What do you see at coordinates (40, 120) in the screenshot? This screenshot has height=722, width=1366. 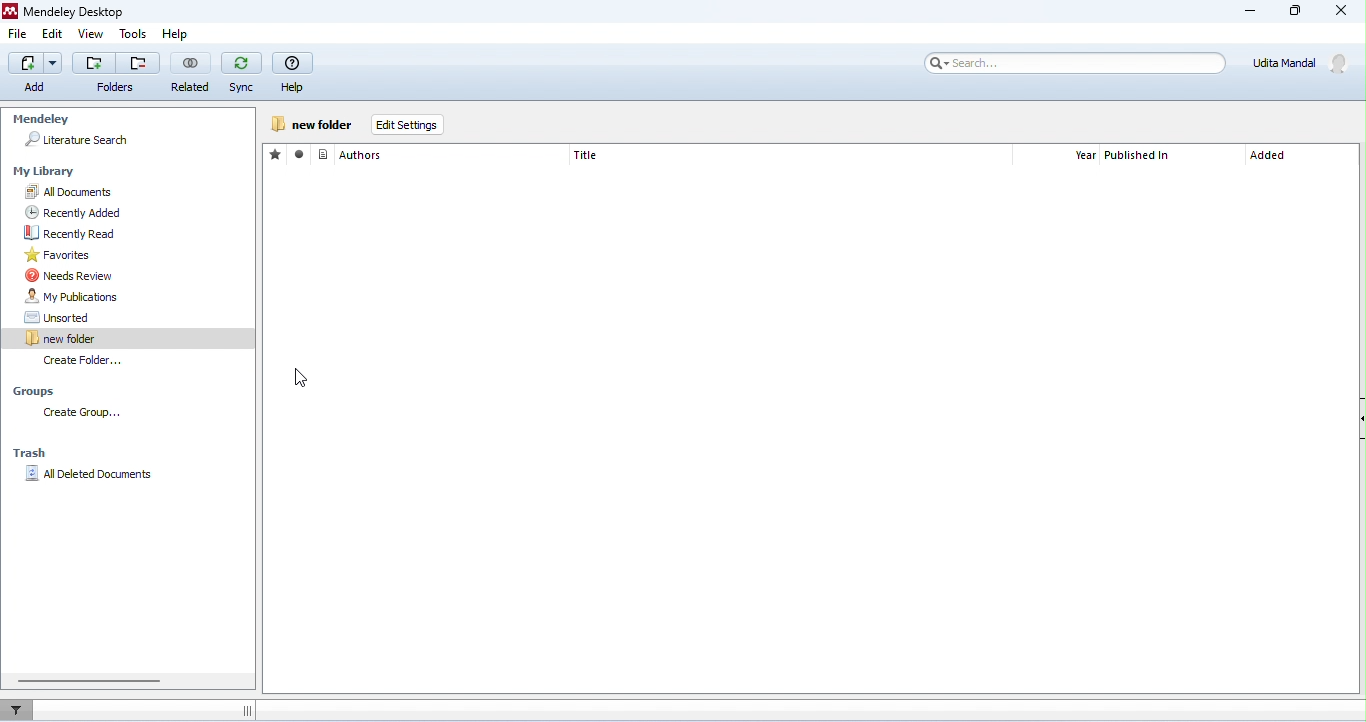 I see `Mendeley` at bounding box center [40, 120].